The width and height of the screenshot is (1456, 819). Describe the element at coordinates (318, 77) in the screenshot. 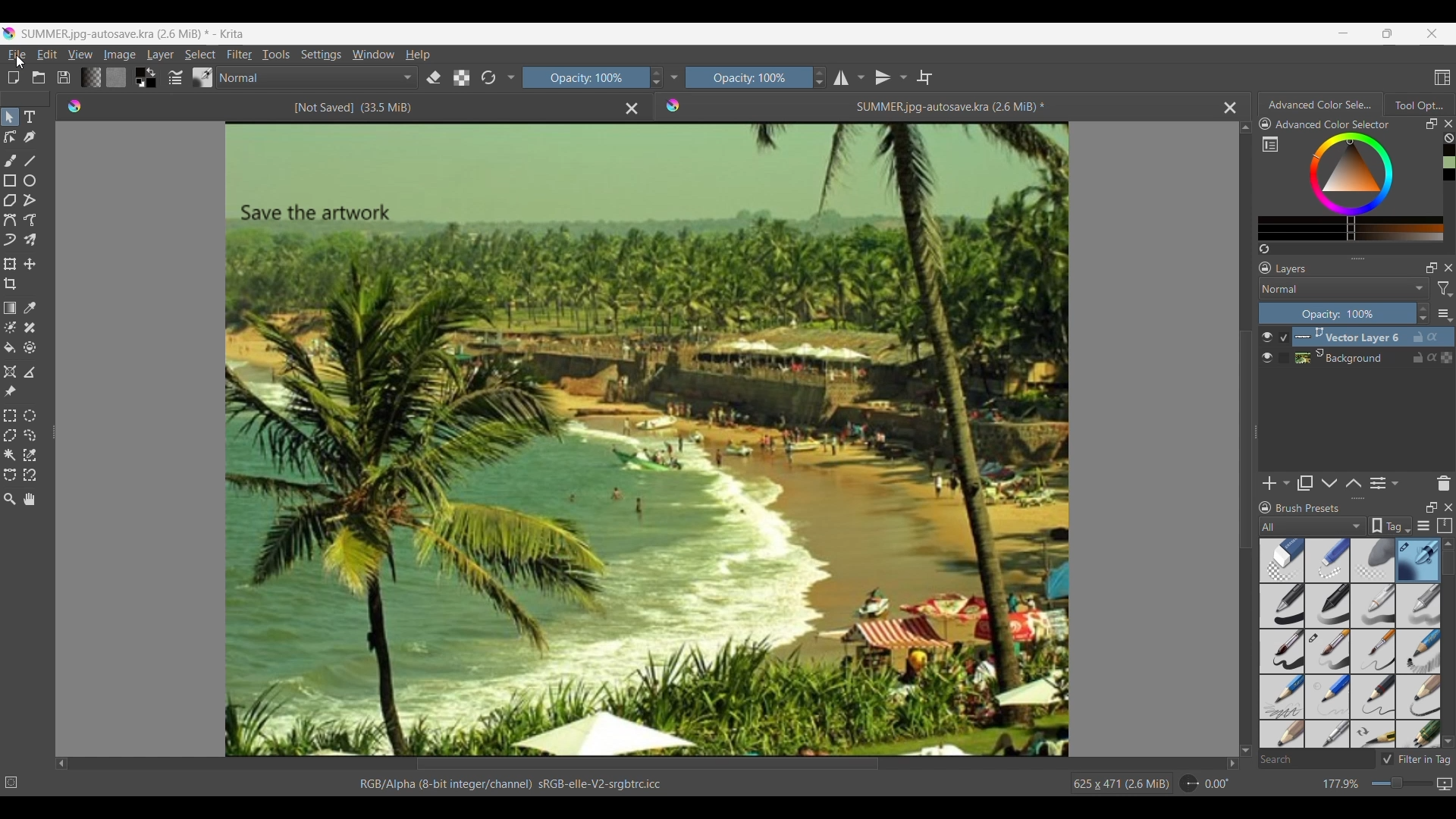

I see `Mode options` at that location.